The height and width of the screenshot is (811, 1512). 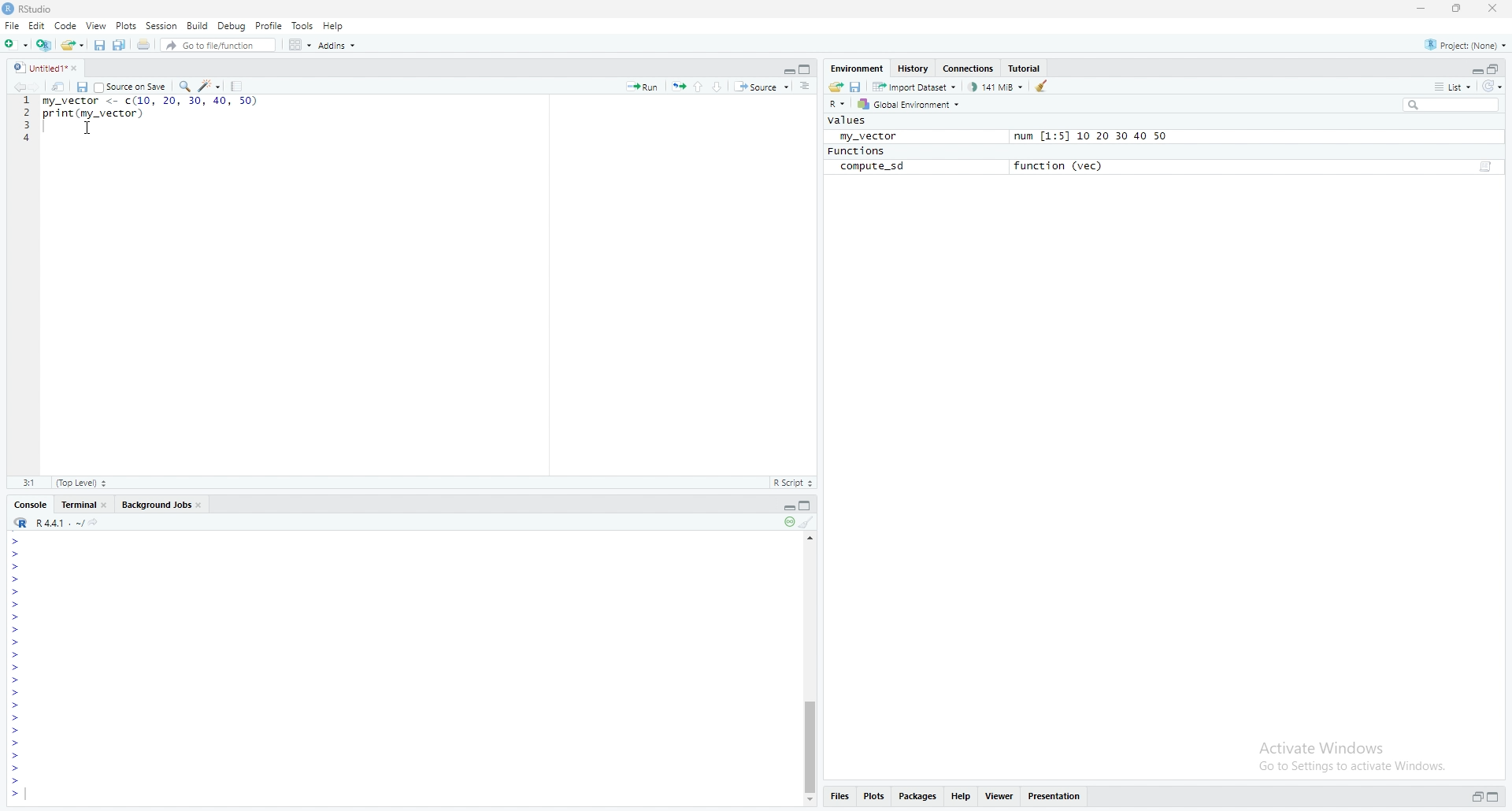 What do you see at coordinates (43, 86) in the screenshot?
I see `Go forward to the next source location(Ctrl + F10)` at bounding box center [43, 86].